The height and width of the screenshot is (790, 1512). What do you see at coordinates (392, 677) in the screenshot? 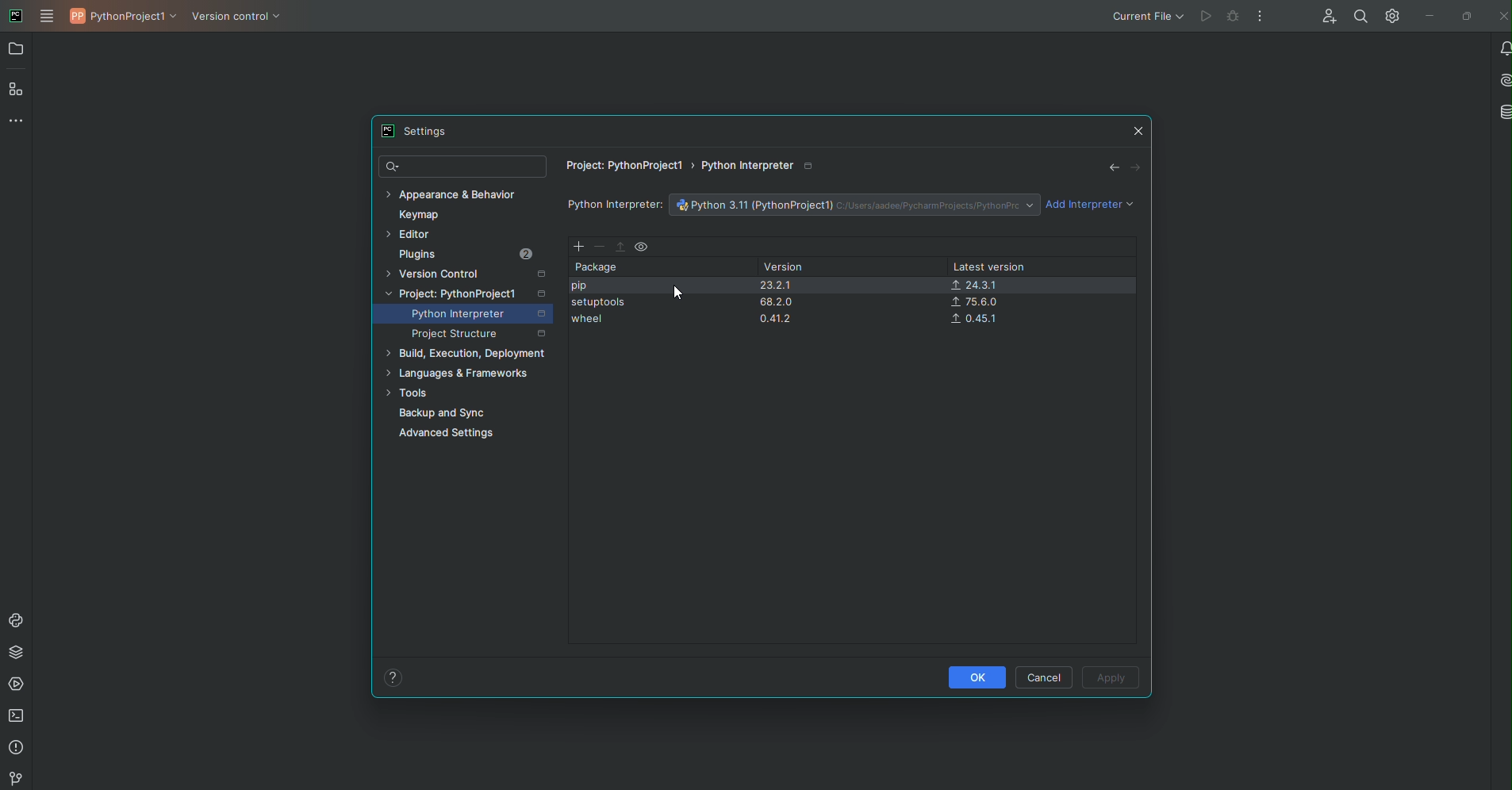
I see `Help` at bounding box center [392, 677].